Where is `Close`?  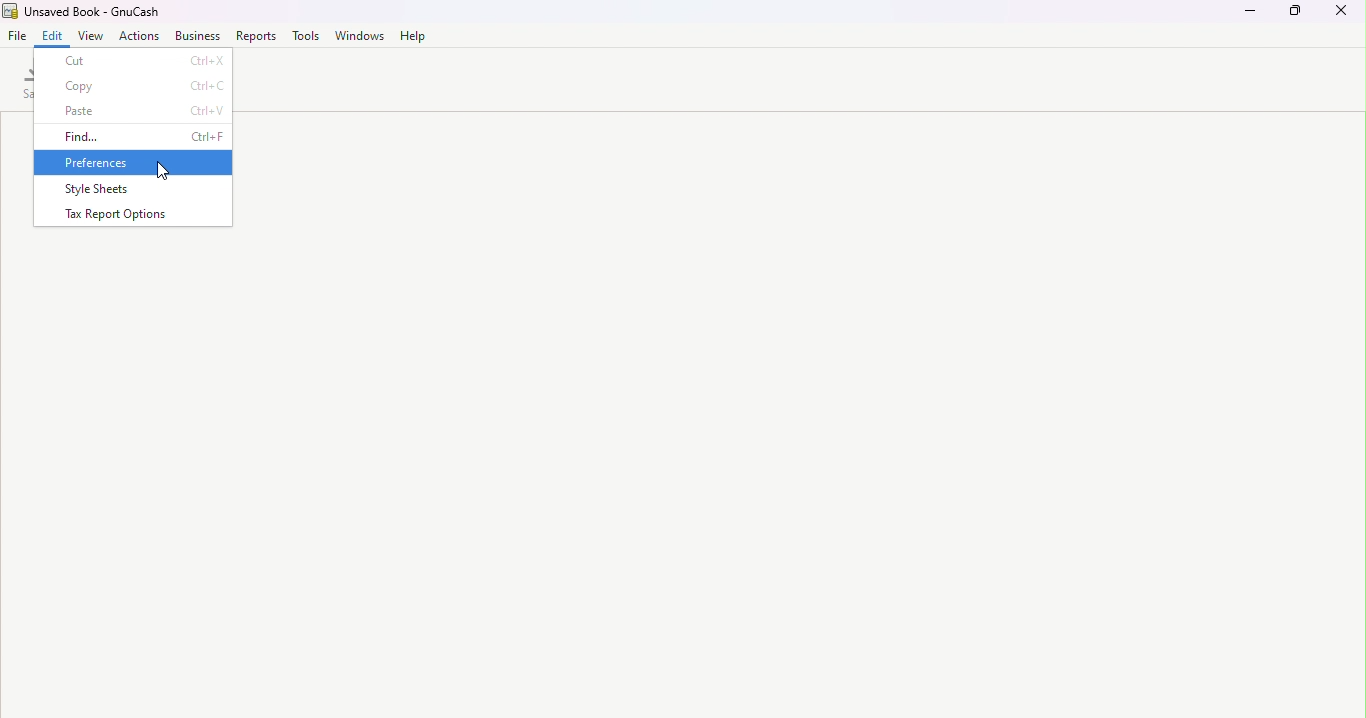 Close is located at coordinates (1345, 17).